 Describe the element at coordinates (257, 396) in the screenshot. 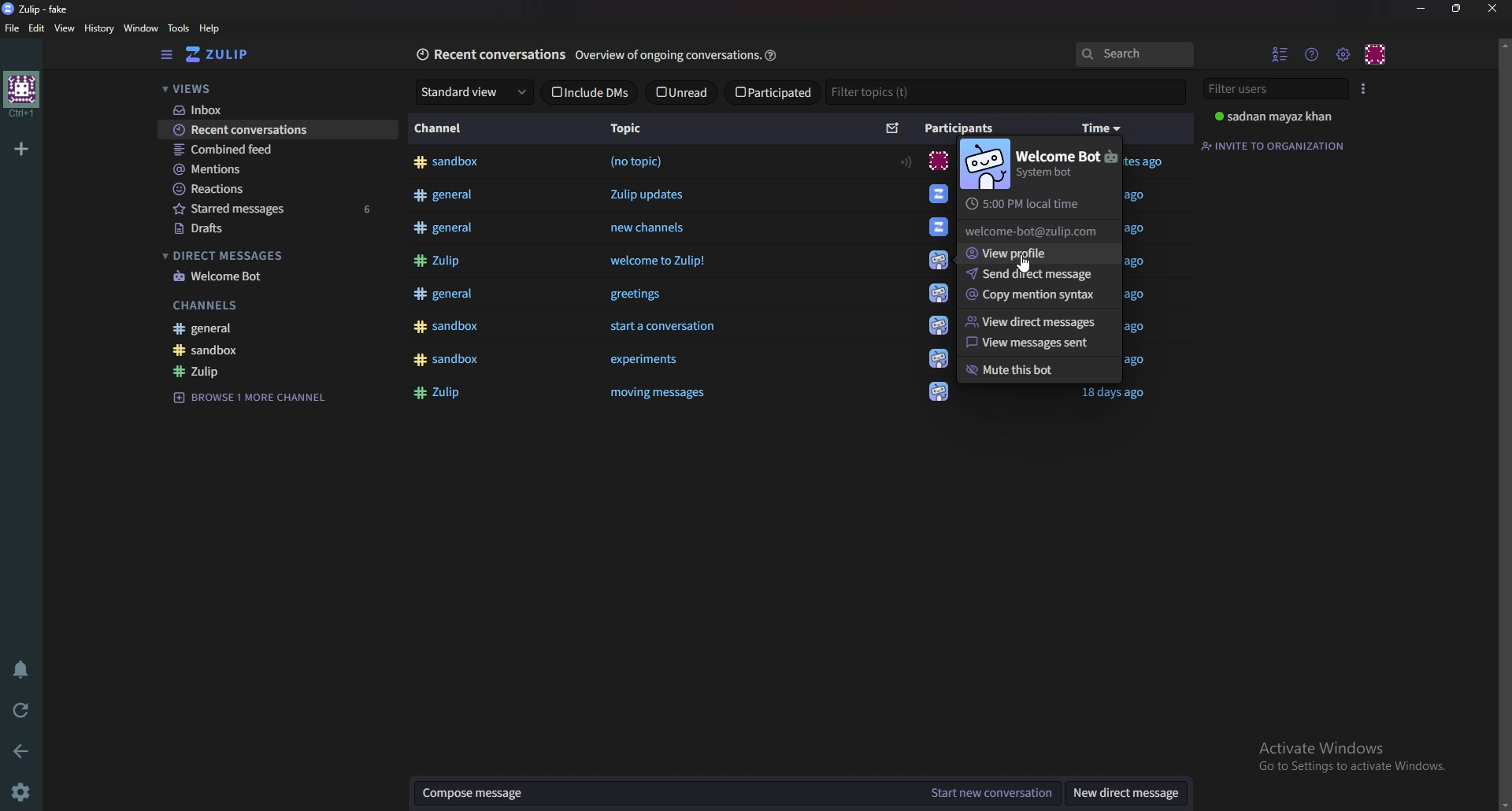

I see `Browse channel` at that location.